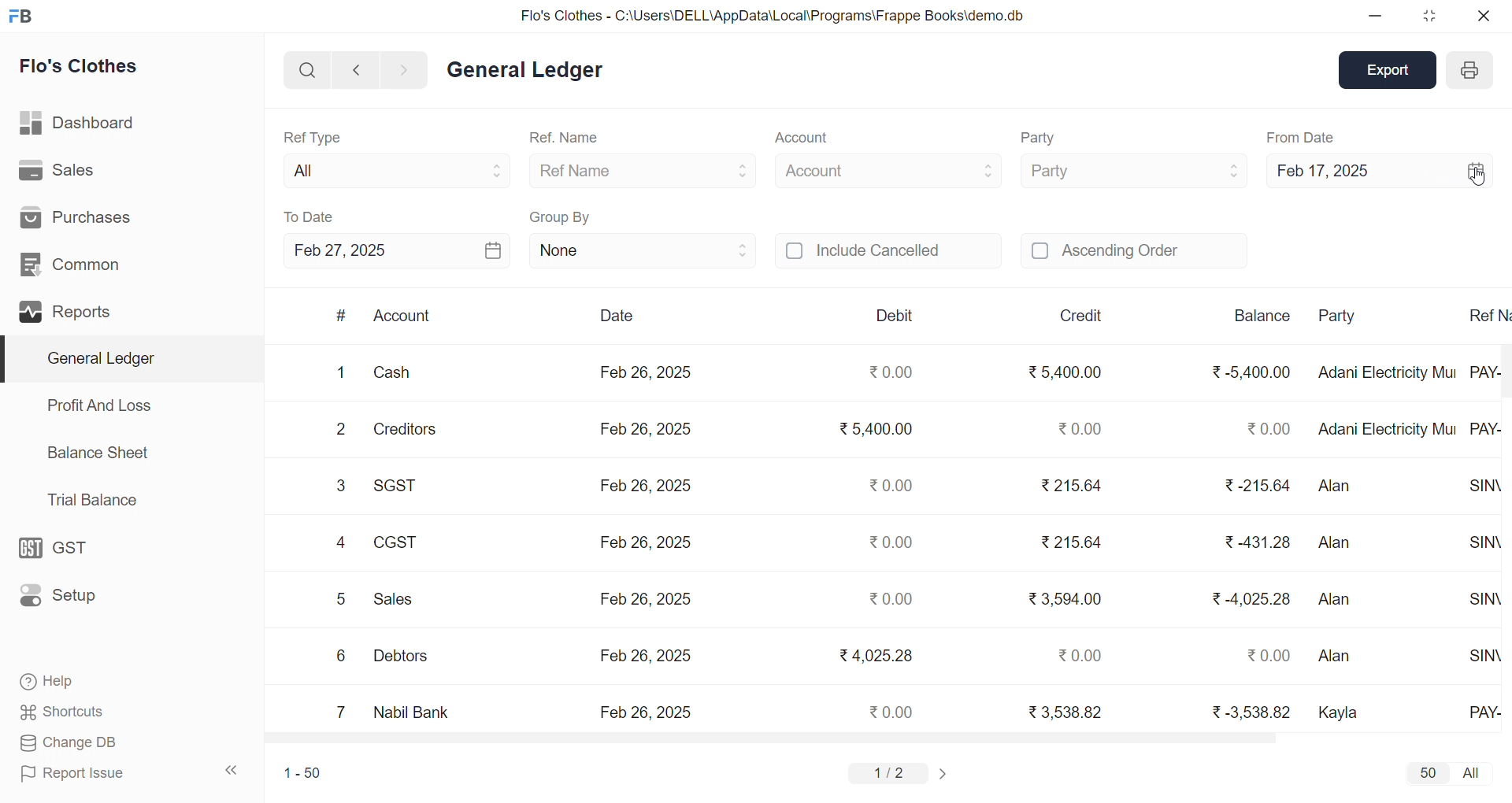 Image resolution: width=1512 pixels, height=803 pixels. What do you see at coordinates (341, 316) in the screenshot?
I see `#` at bounding box center [341, 316].